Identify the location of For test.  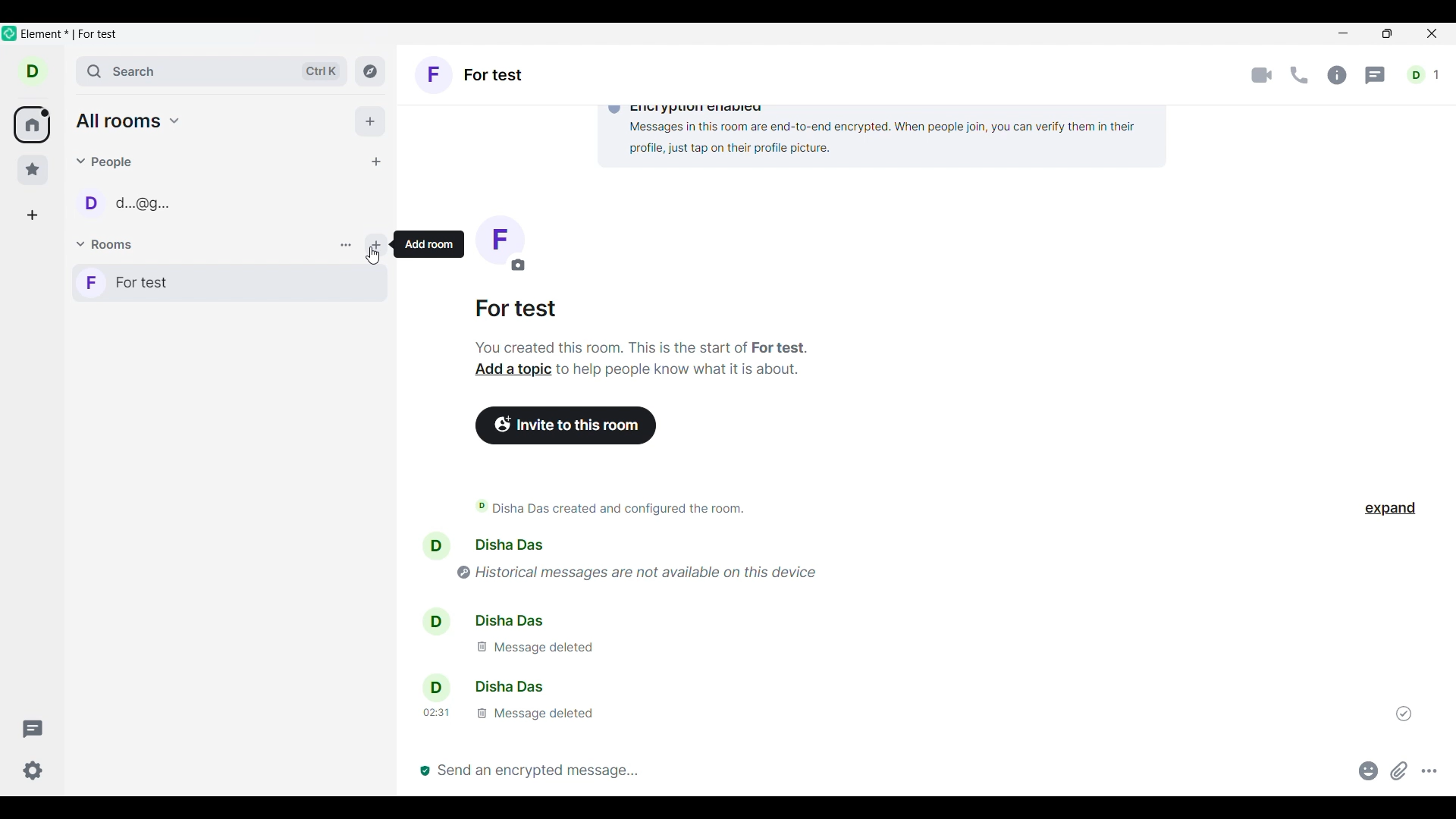
(230, 282).